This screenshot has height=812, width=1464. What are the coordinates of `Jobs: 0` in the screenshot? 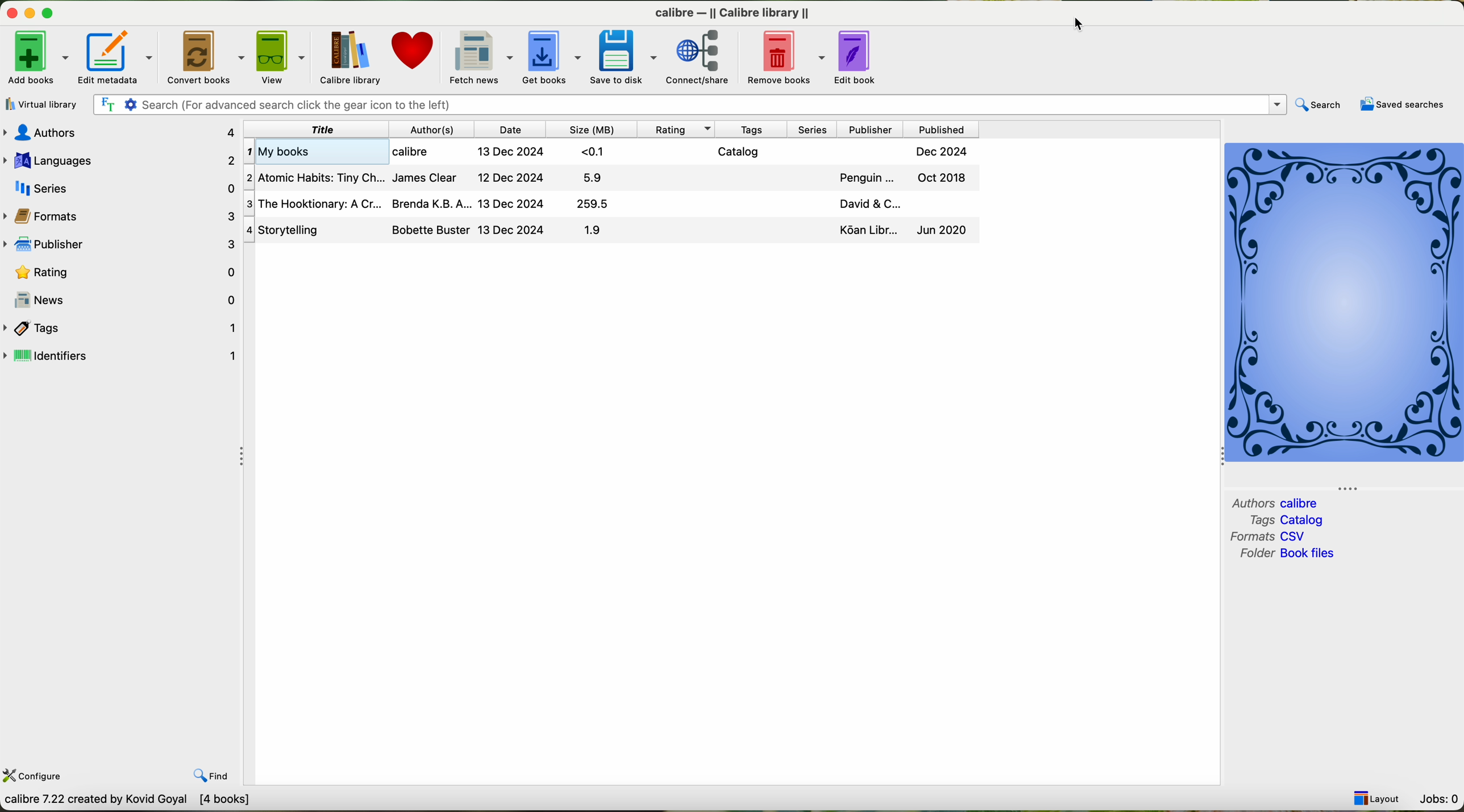 It's located at (1437, 798).